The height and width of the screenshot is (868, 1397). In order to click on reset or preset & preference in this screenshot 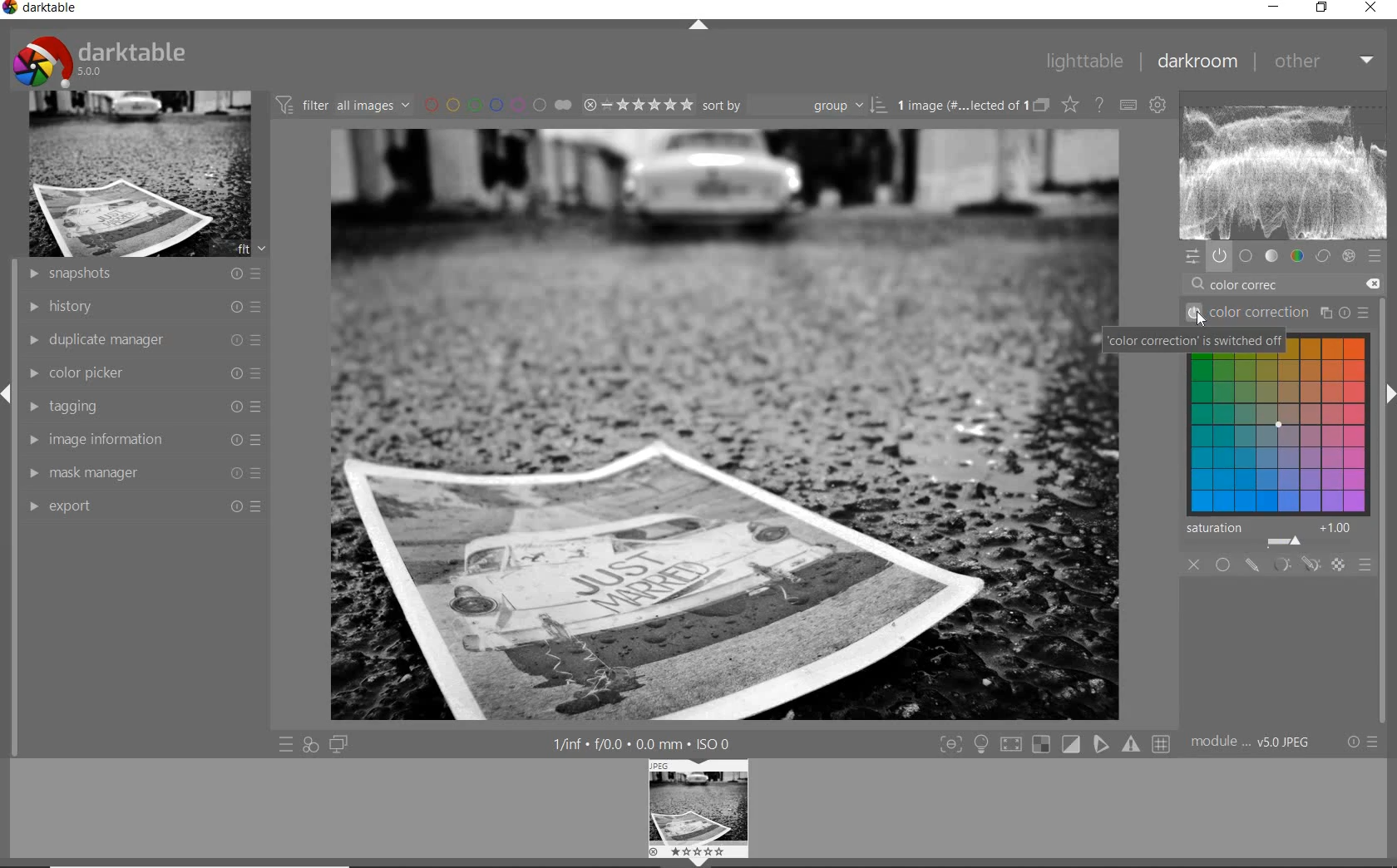, I will do `click(1358, 744)`.